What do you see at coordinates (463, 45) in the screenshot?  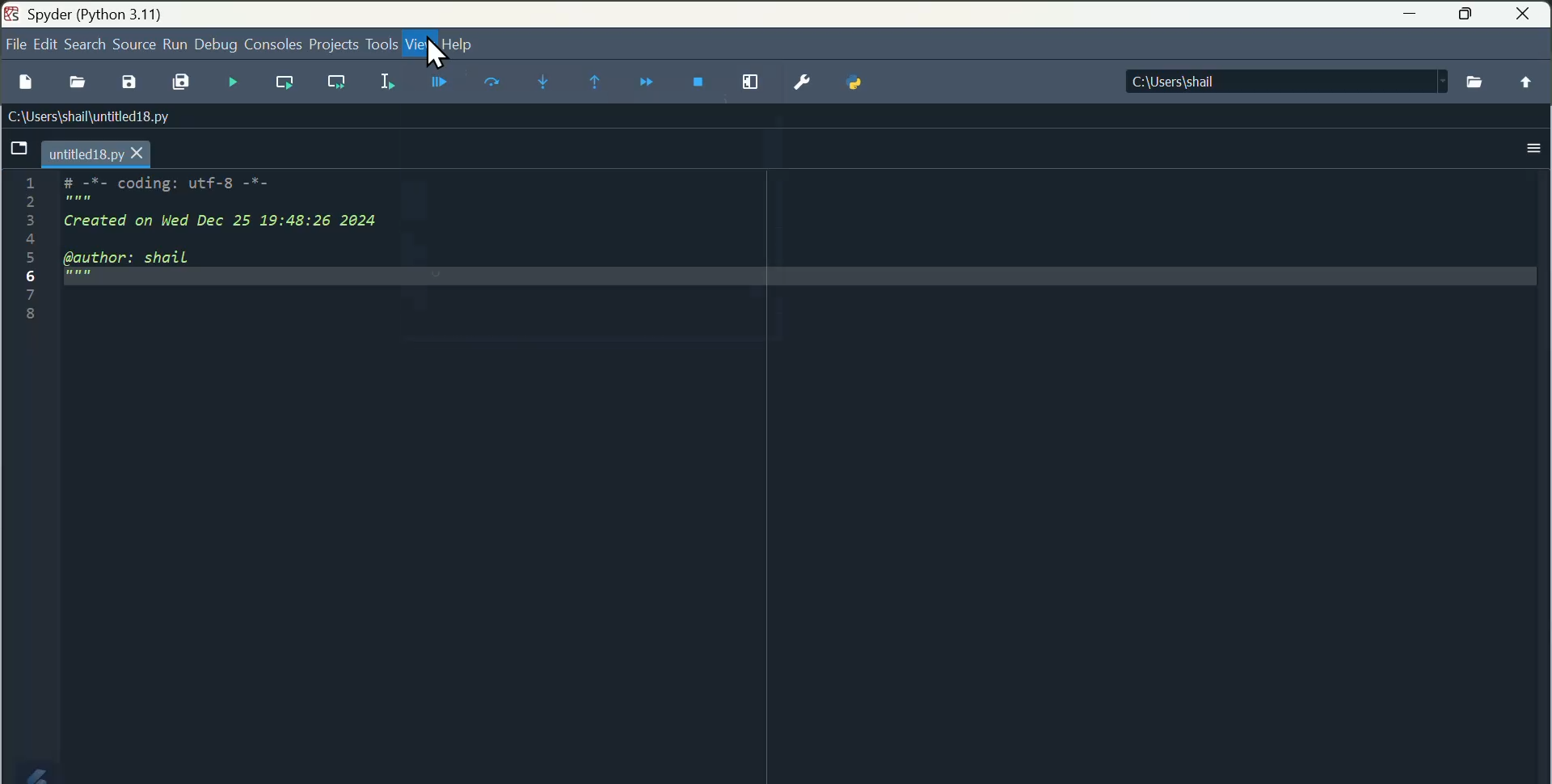 I see `help` at bounding box center [463, 45].